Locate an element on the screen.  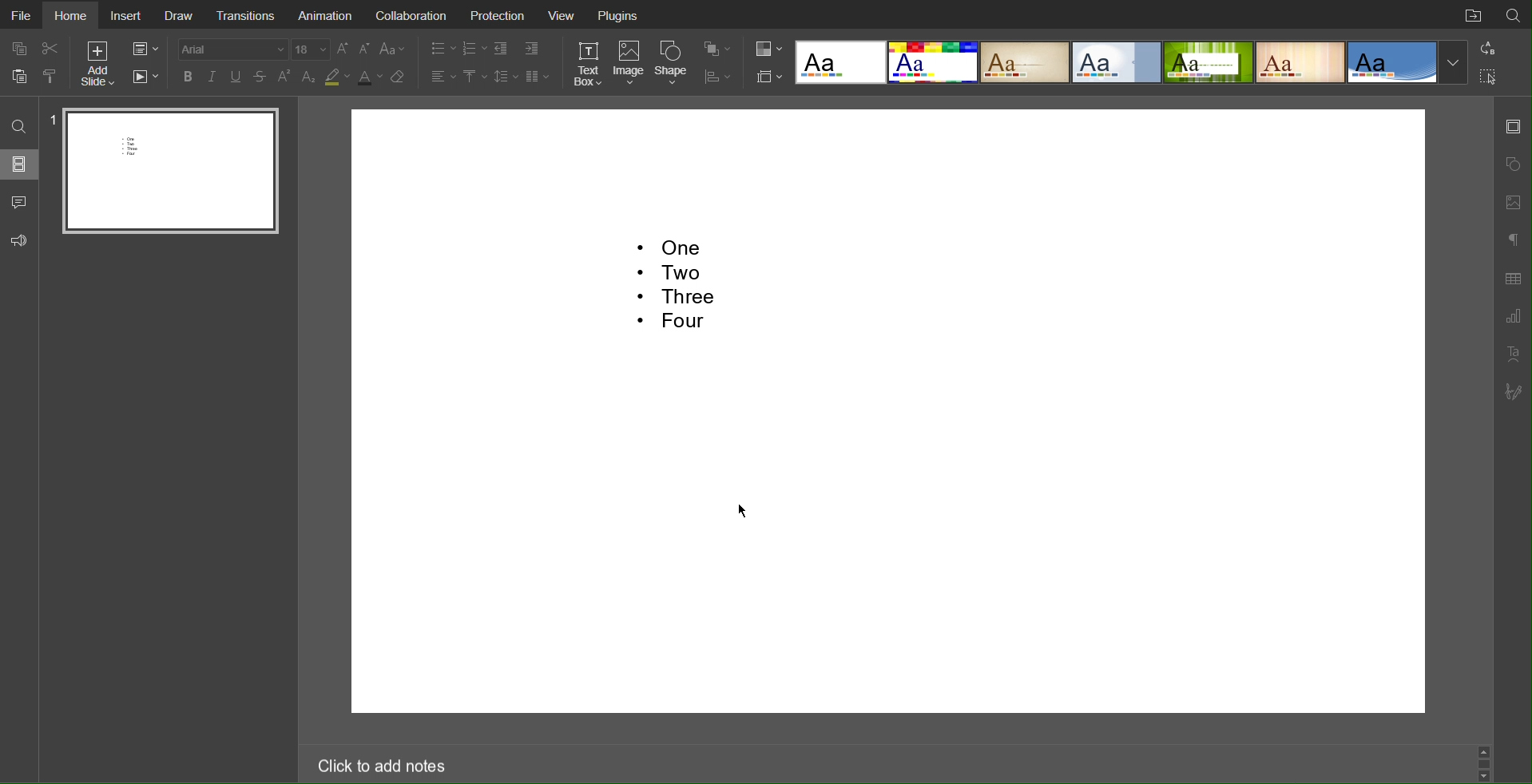
Colors is located at coordinates (768, 49).